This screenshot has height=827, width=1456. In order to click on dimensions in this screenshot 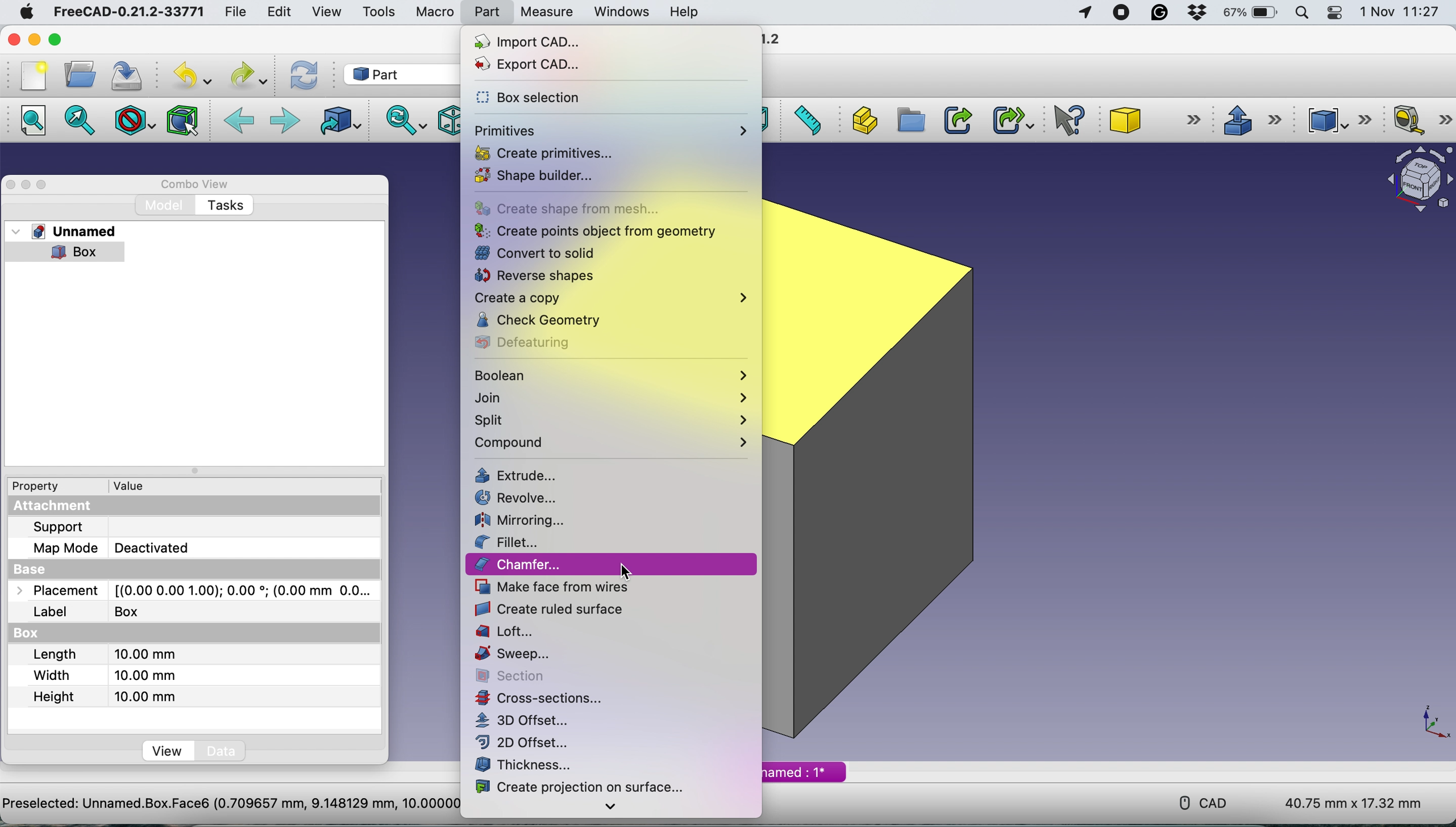, I will do `click(1351, 805)`.